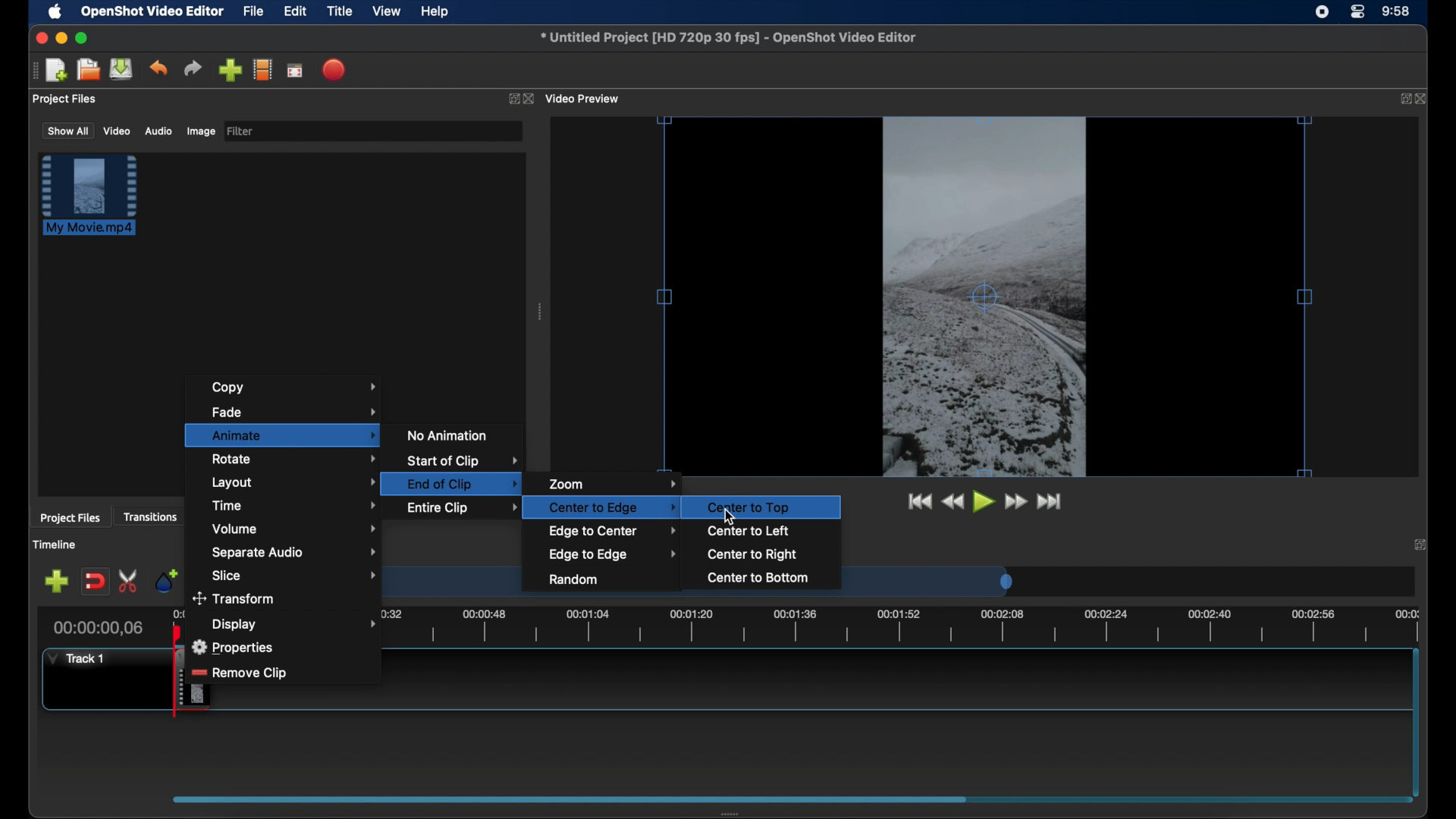 The width and height of the screenshot is (1456, 819). Describe the element at coordinates (262, 69) in the screenshot. I see `explore profiles` at that location.